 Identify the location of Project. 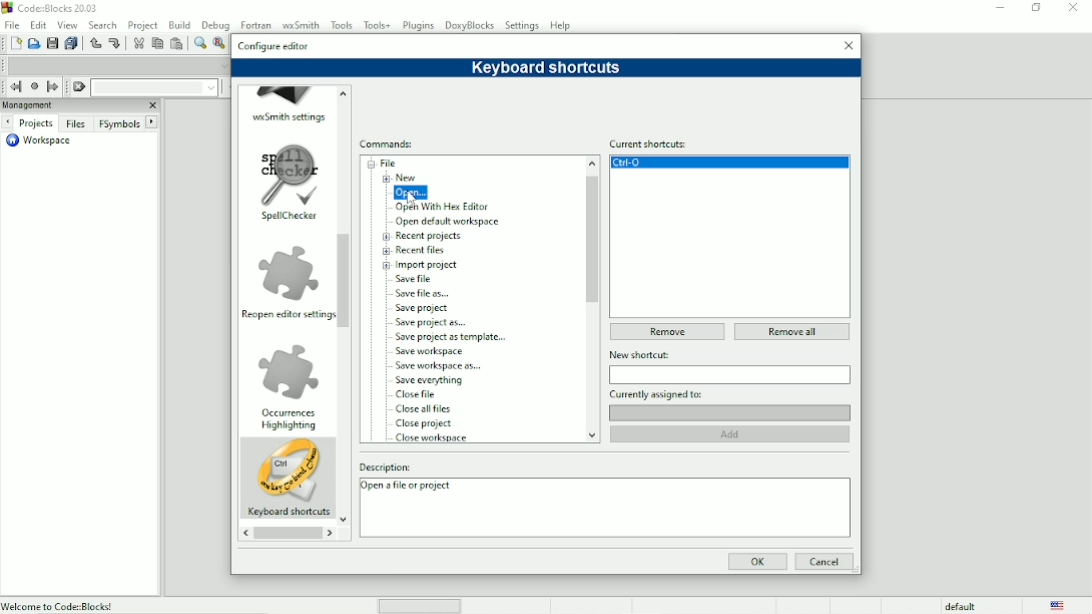
(142, 24).